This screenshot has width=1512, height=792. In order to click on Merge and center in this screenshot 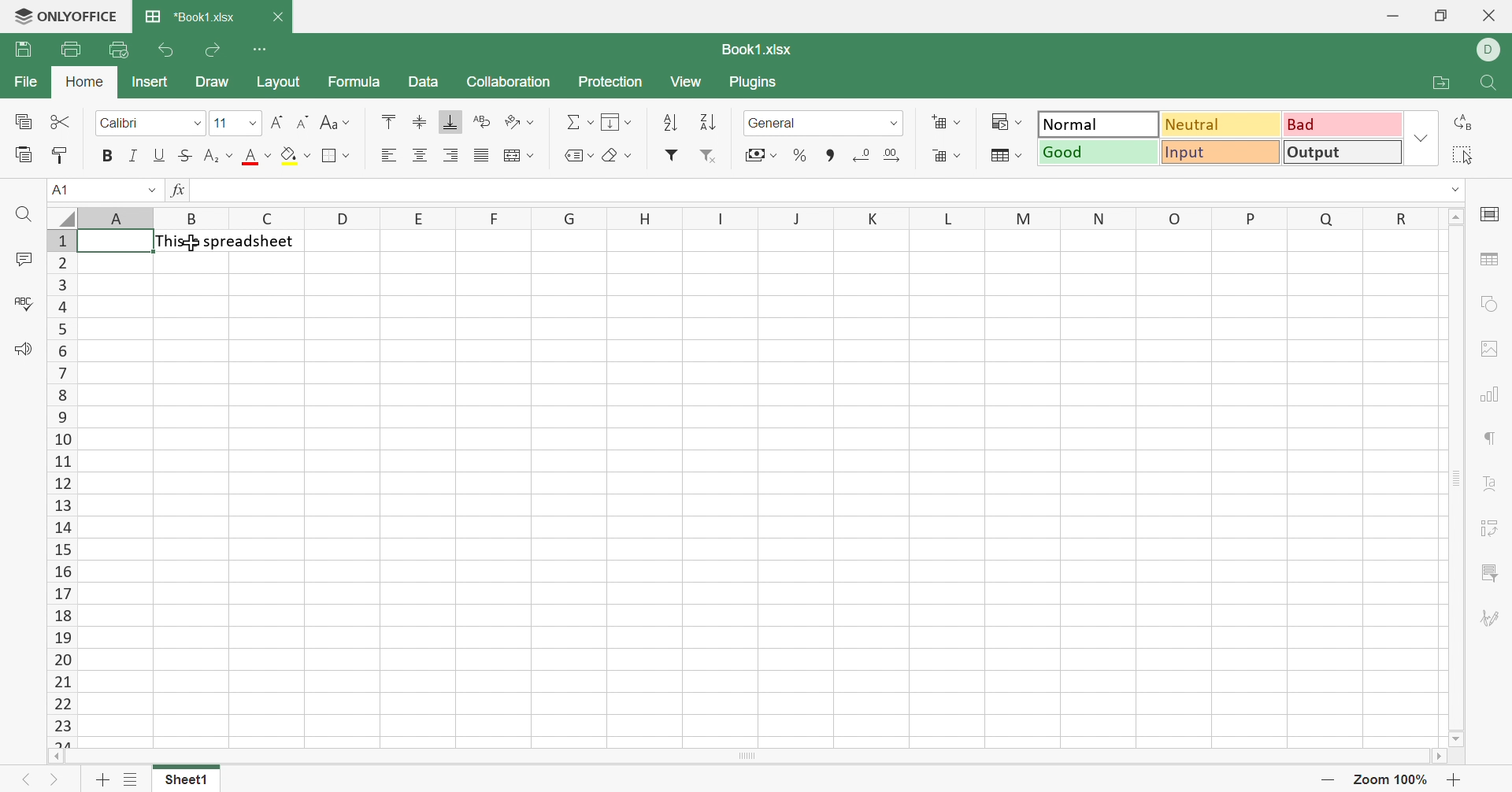, I will do `click(511, 155)`.